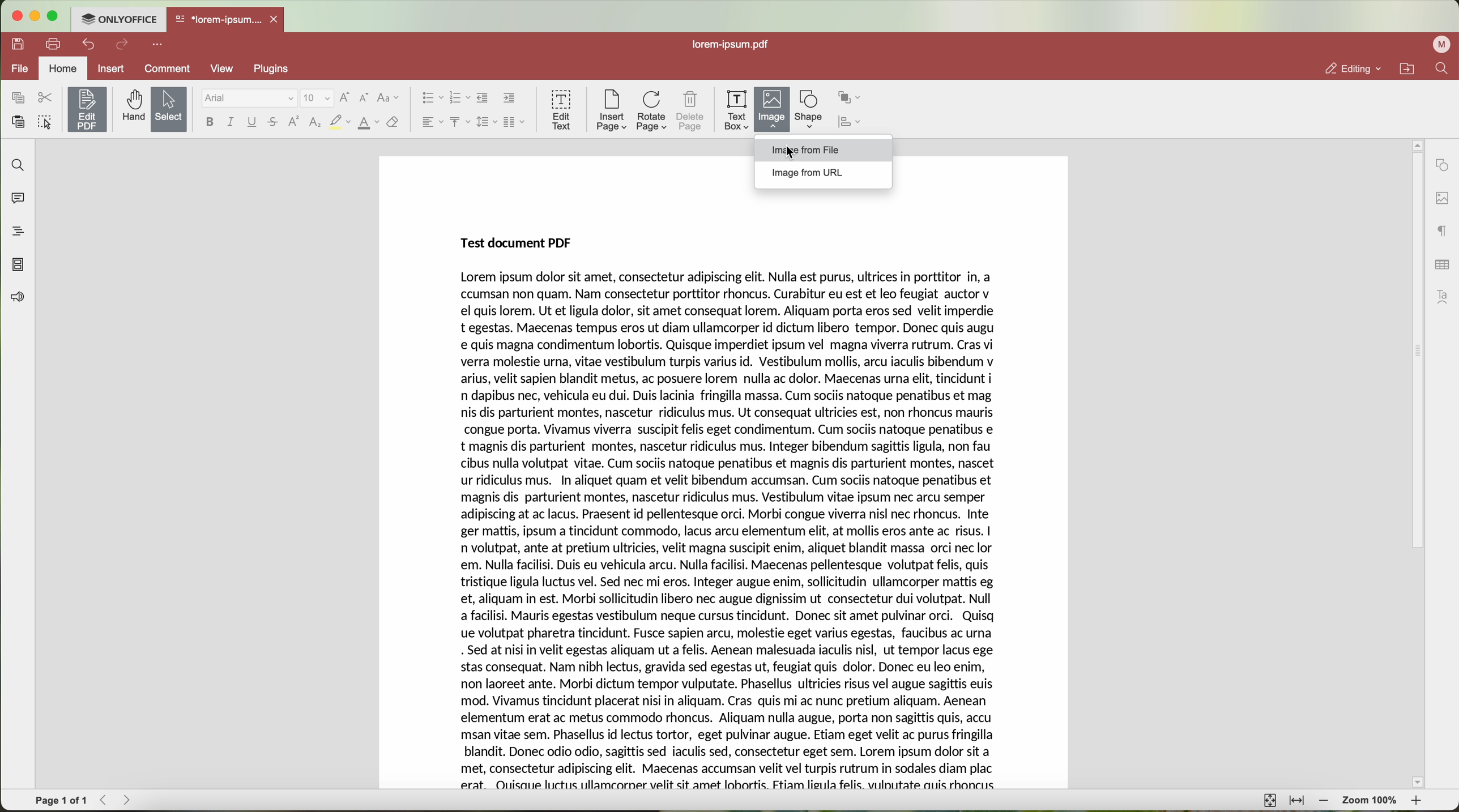  Describe the element at coordinates (1411, 464) in the screenshot. I see `scroll bar` at that location.